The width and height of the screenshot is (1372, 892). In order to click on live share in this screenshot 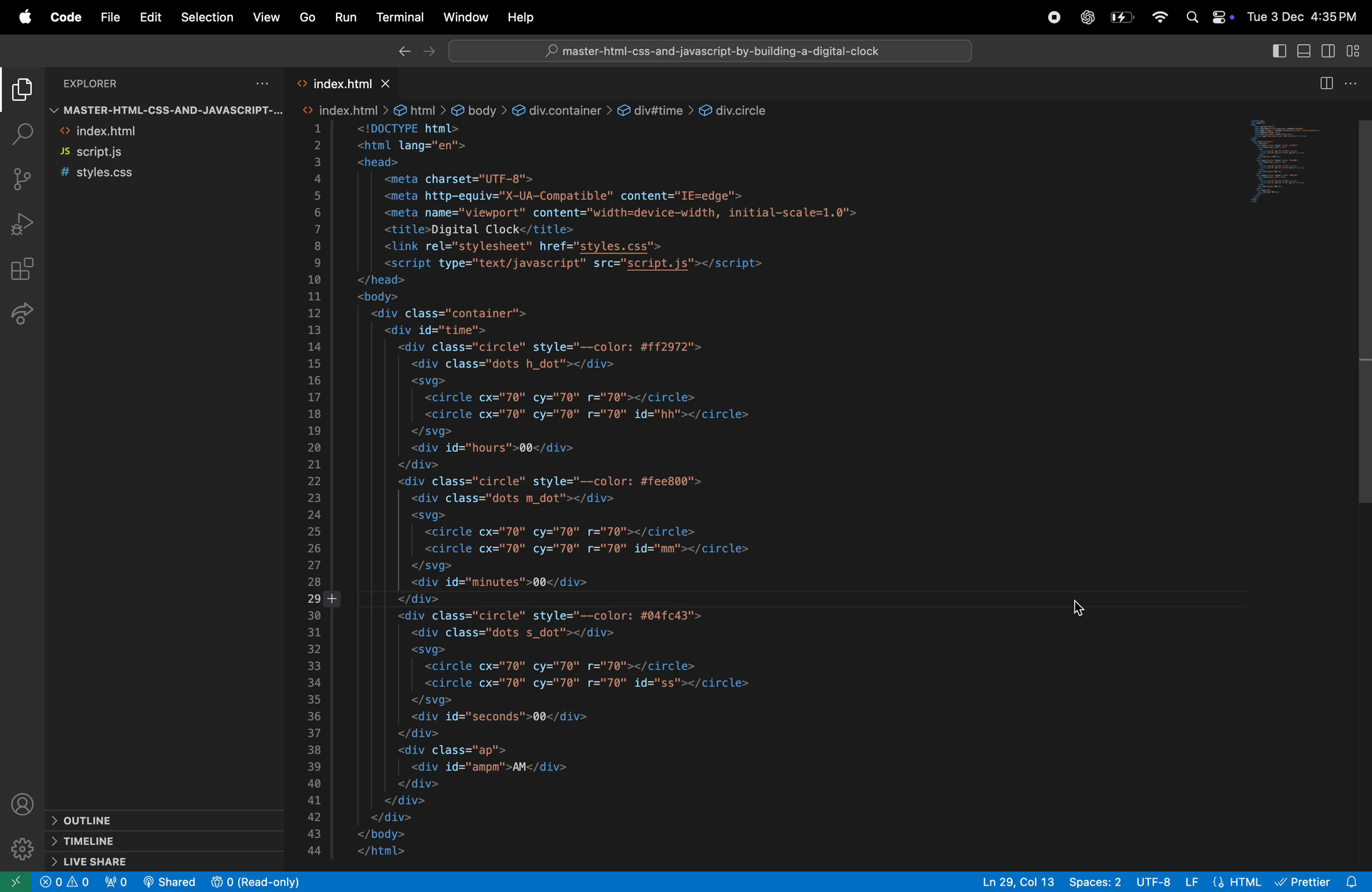, I will do `click(151, 861)`.